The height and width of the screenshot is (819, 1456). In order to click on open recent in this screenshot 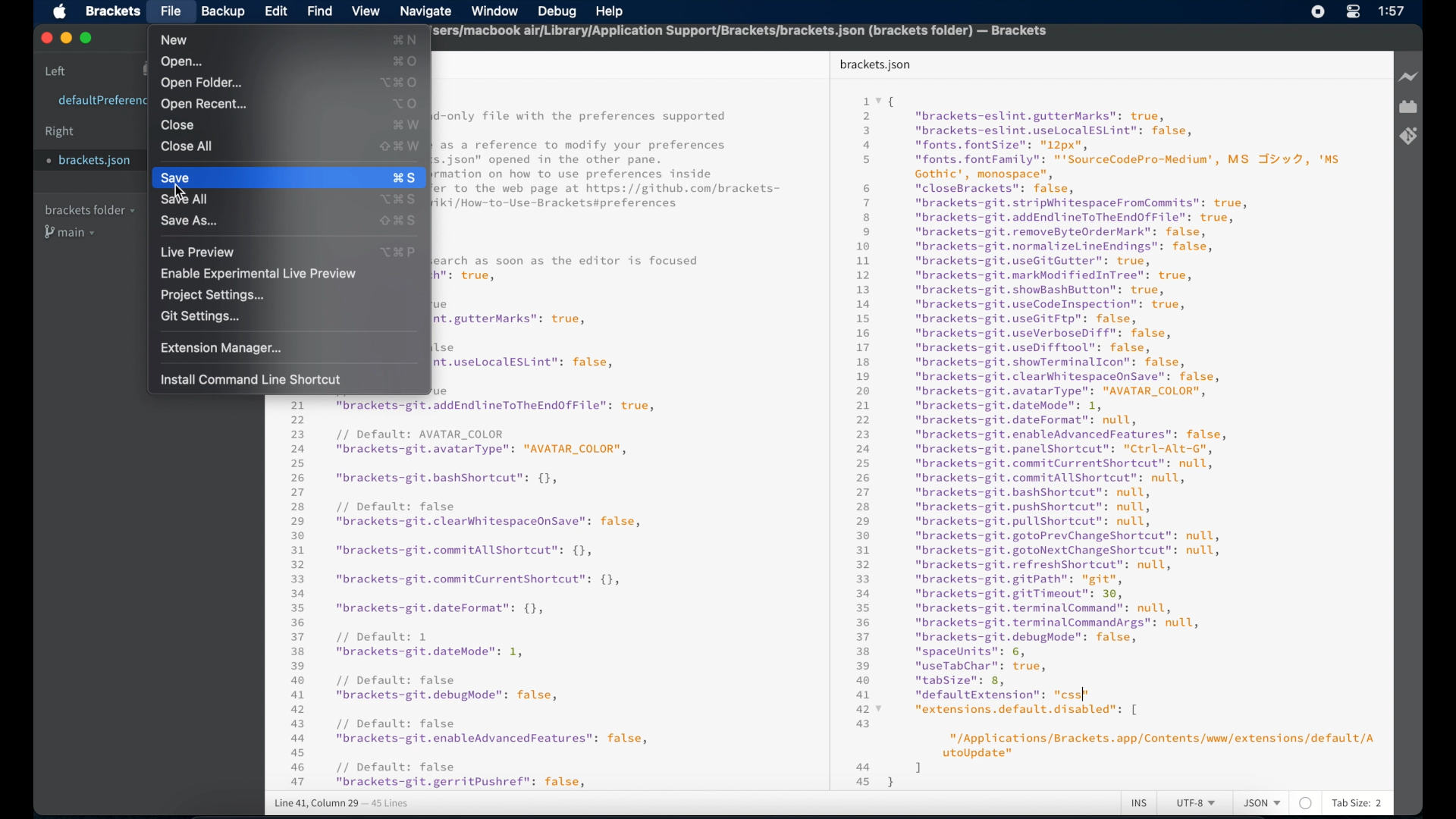, I will do `click(206, 105)`.